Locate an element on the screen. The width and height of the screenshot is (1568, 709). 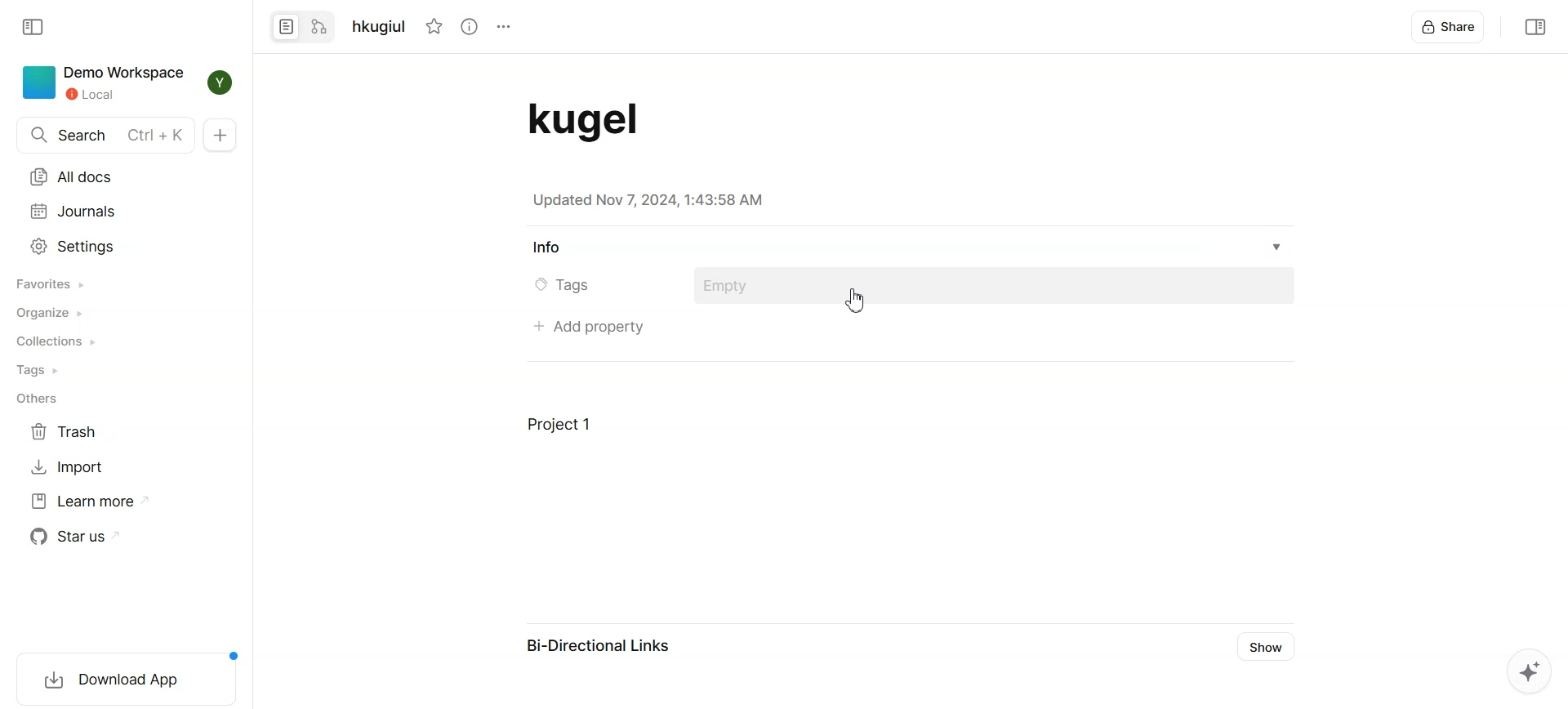
Import is located at coordinates (69, 466).